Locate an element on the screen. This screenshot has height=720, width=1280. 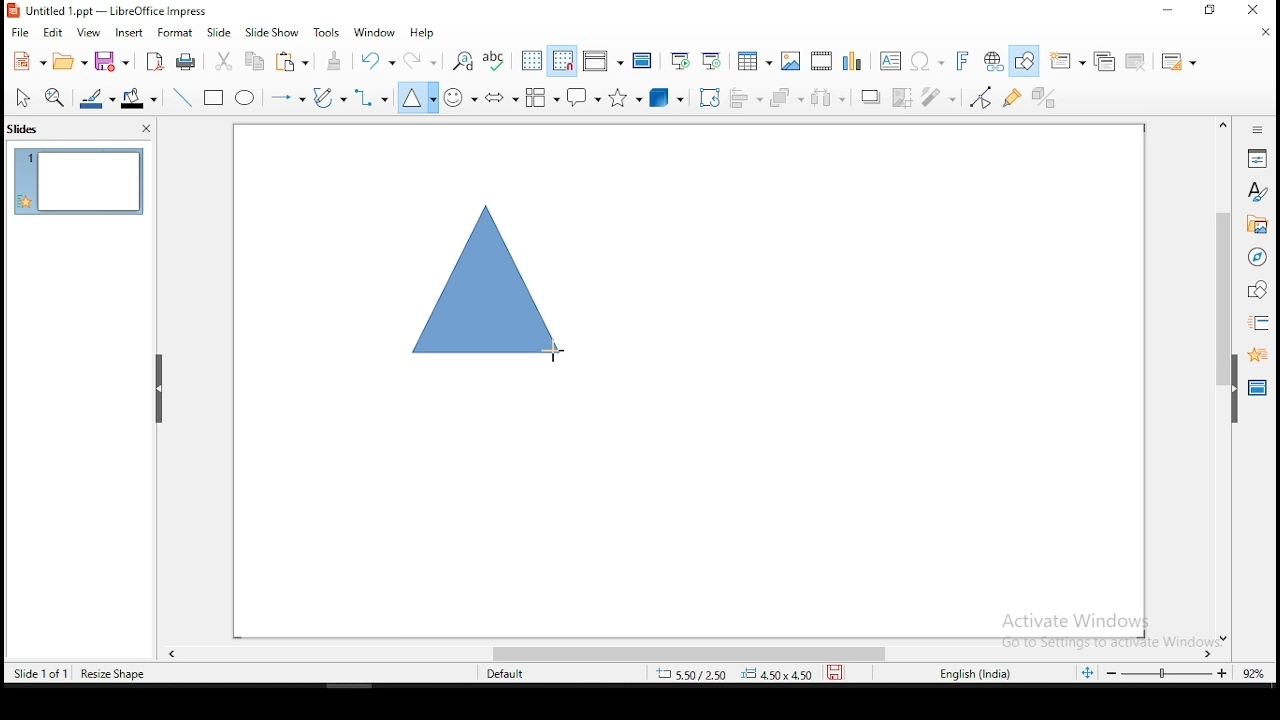
file is located at coordinates (20, 34).